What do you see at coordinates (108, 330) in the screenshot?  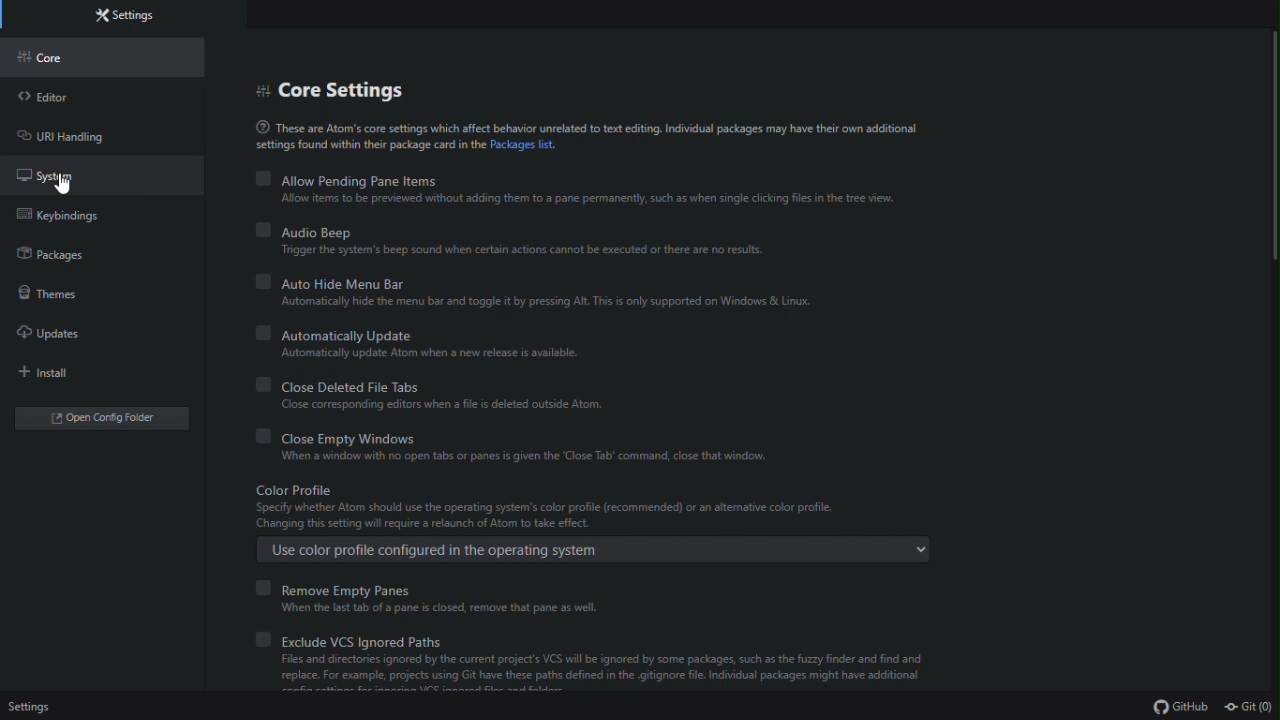 I see `Updates` at bounding box center [108, 330].